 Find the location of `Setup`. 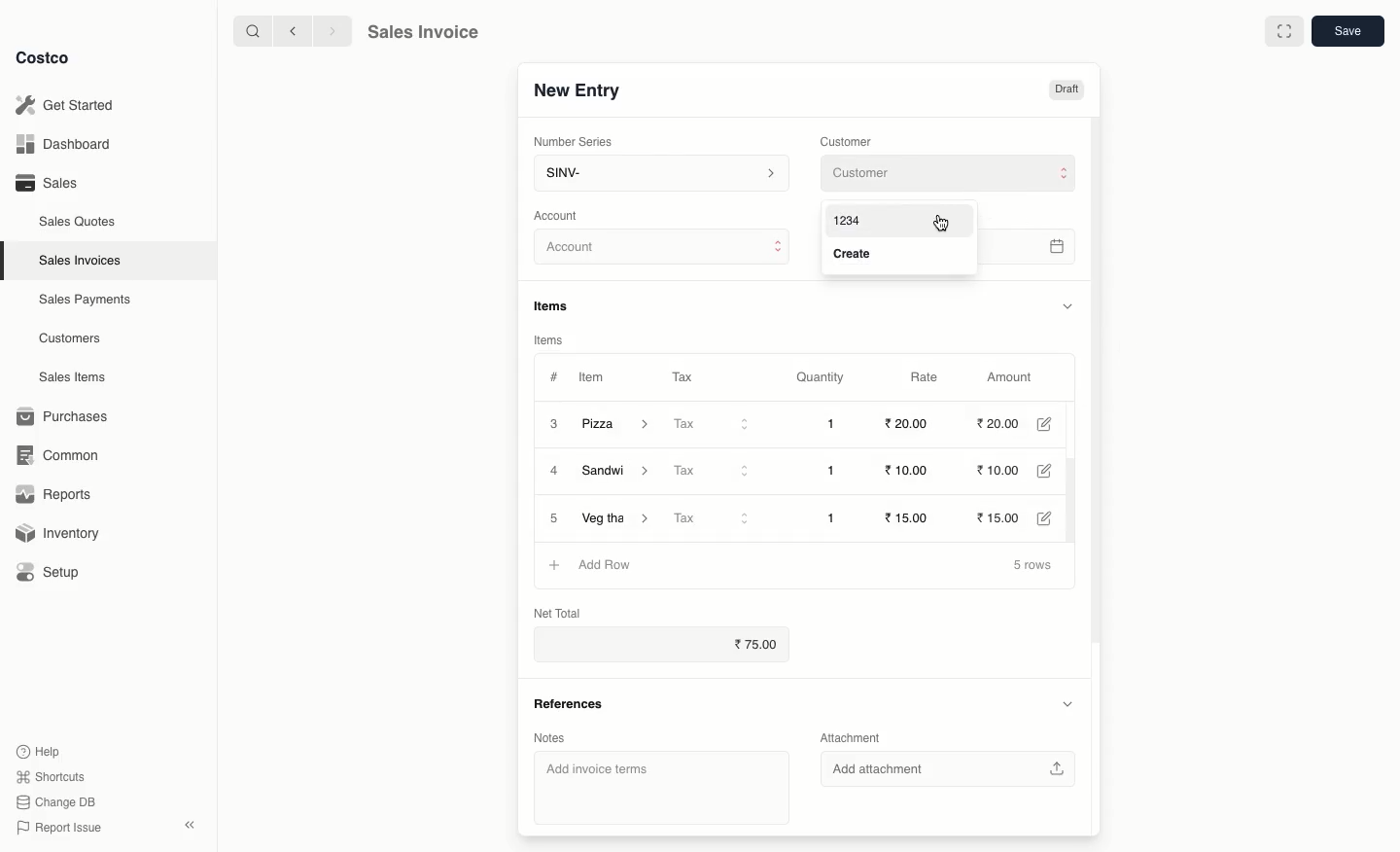

Setup is located at coordinates (55, 572).